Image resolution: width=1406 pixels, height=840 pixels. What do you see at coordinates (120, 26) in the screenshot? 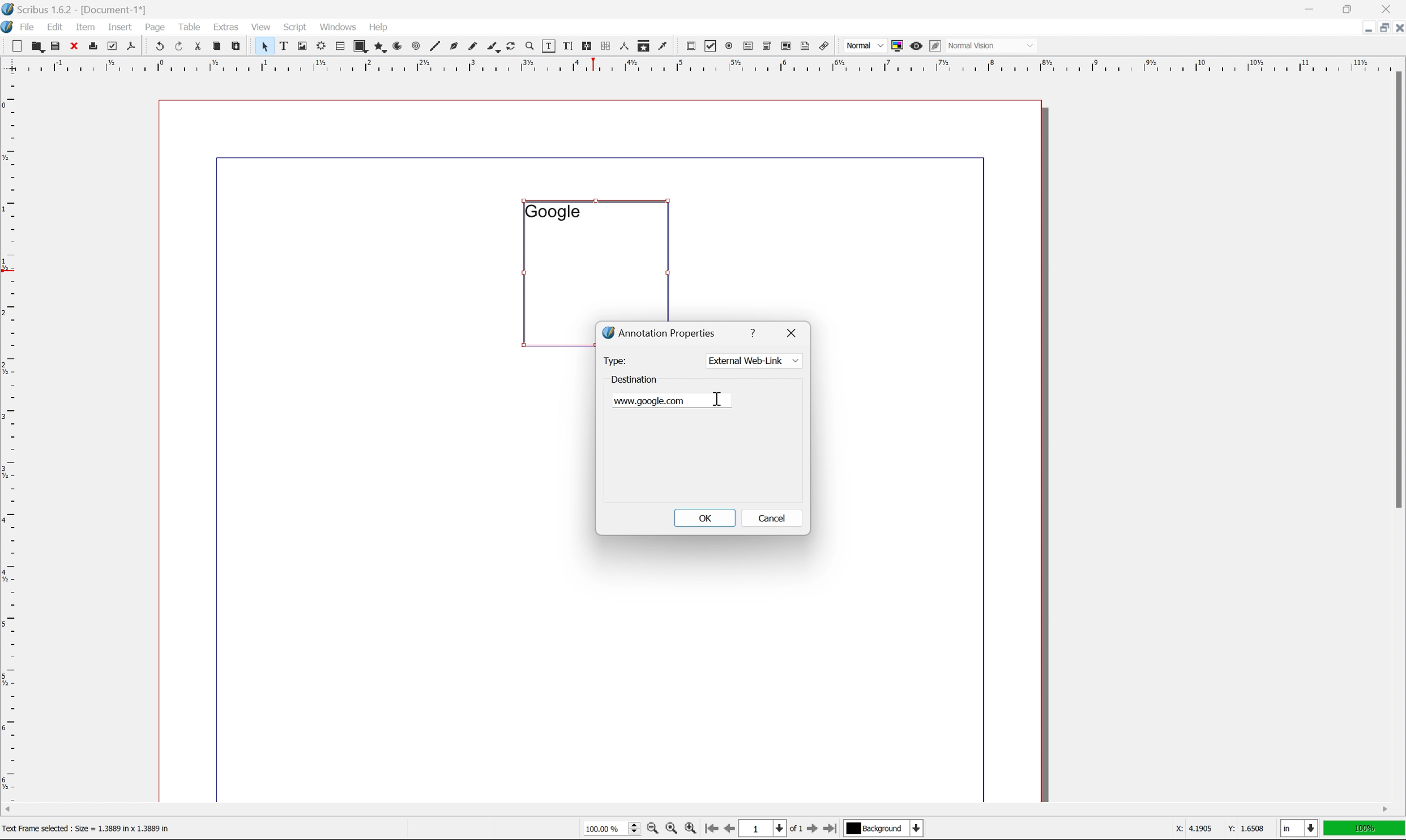
I see `insert` at bounding box center [120, 26].